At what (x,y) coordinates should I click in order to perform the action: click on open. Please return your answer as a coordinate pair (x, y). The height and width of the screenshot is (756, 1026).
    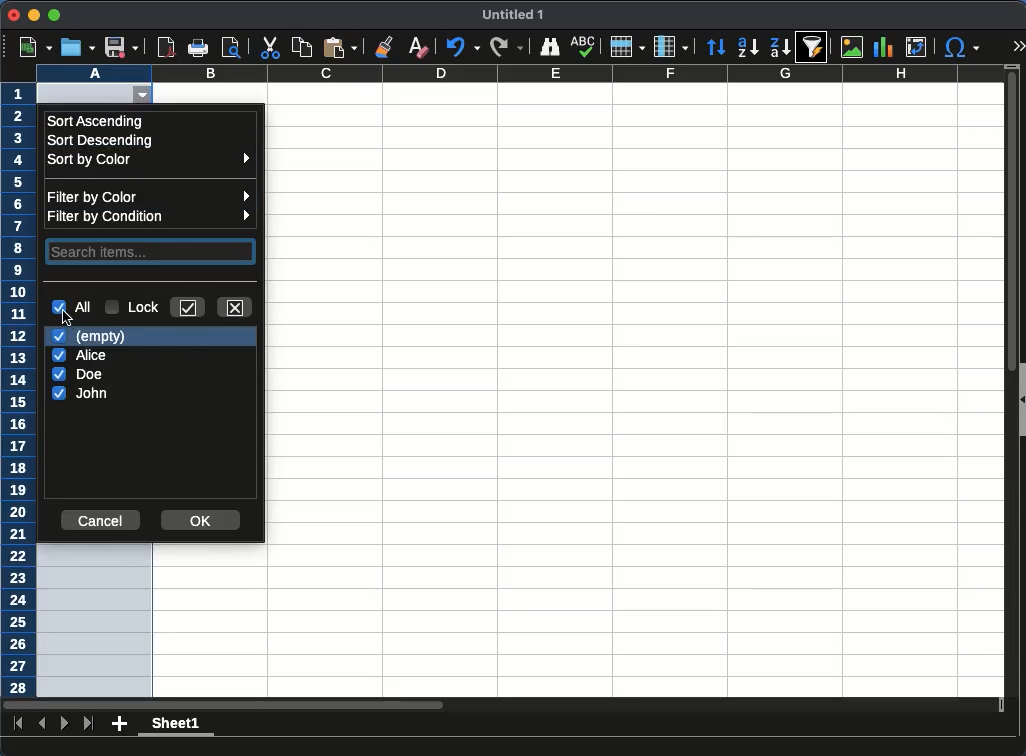
    Looking at the image, I should click on (78, 47).